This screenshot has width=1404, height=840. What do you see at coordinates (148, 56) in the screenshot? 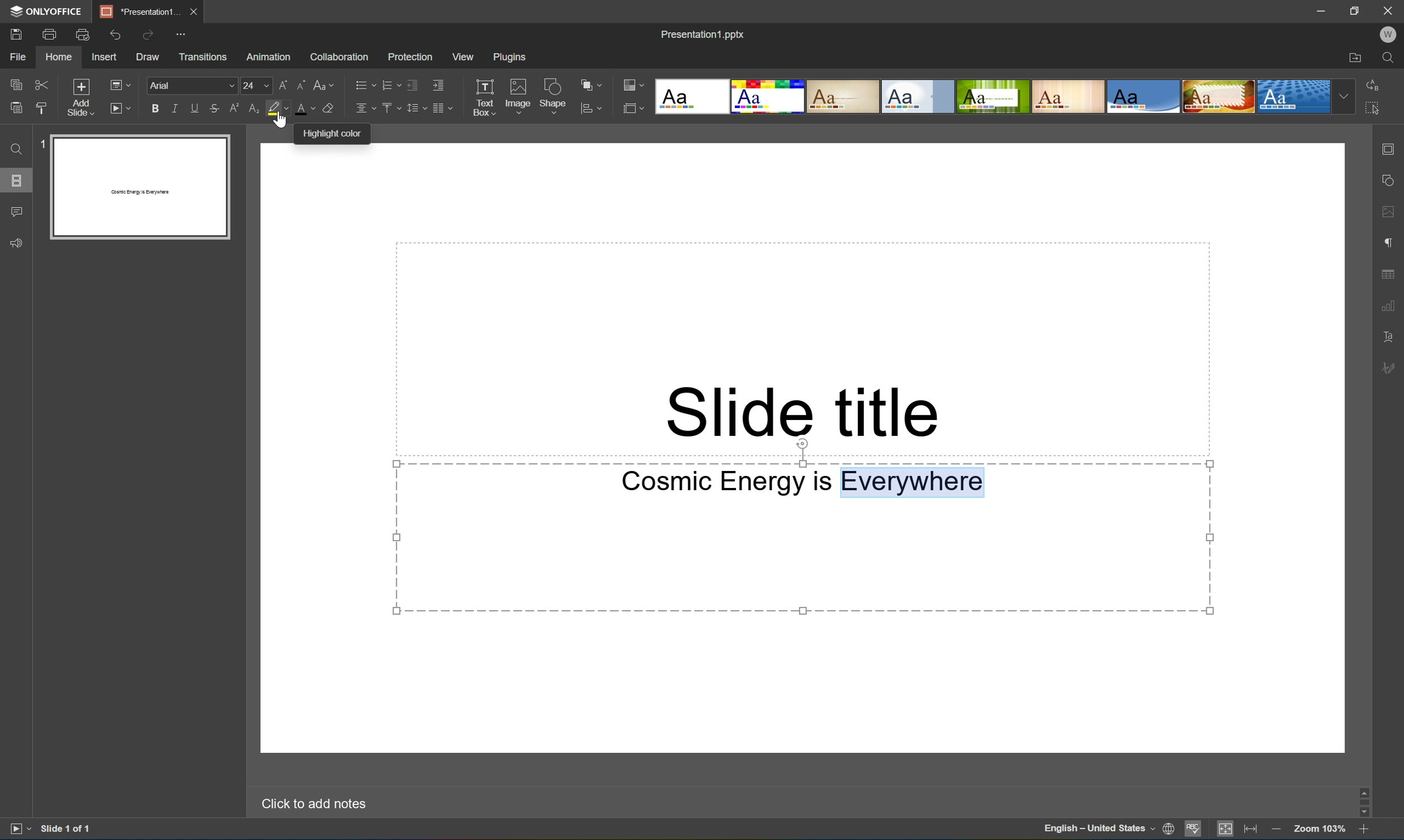
I see `Draw` at bounding box center [148, 56].